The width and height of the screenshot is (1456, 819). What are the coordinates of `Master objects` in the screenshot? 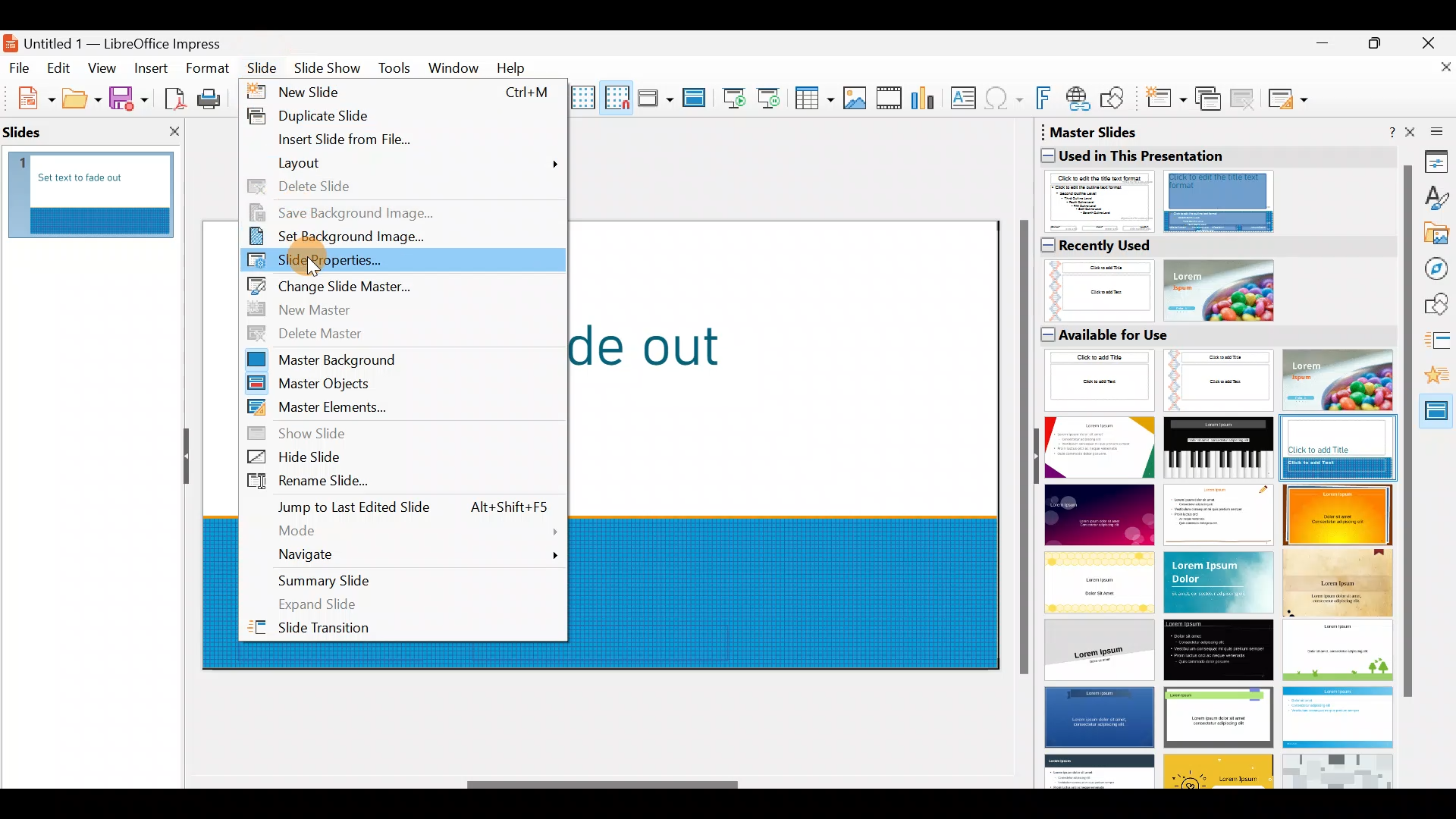 It's located at (400, 385).